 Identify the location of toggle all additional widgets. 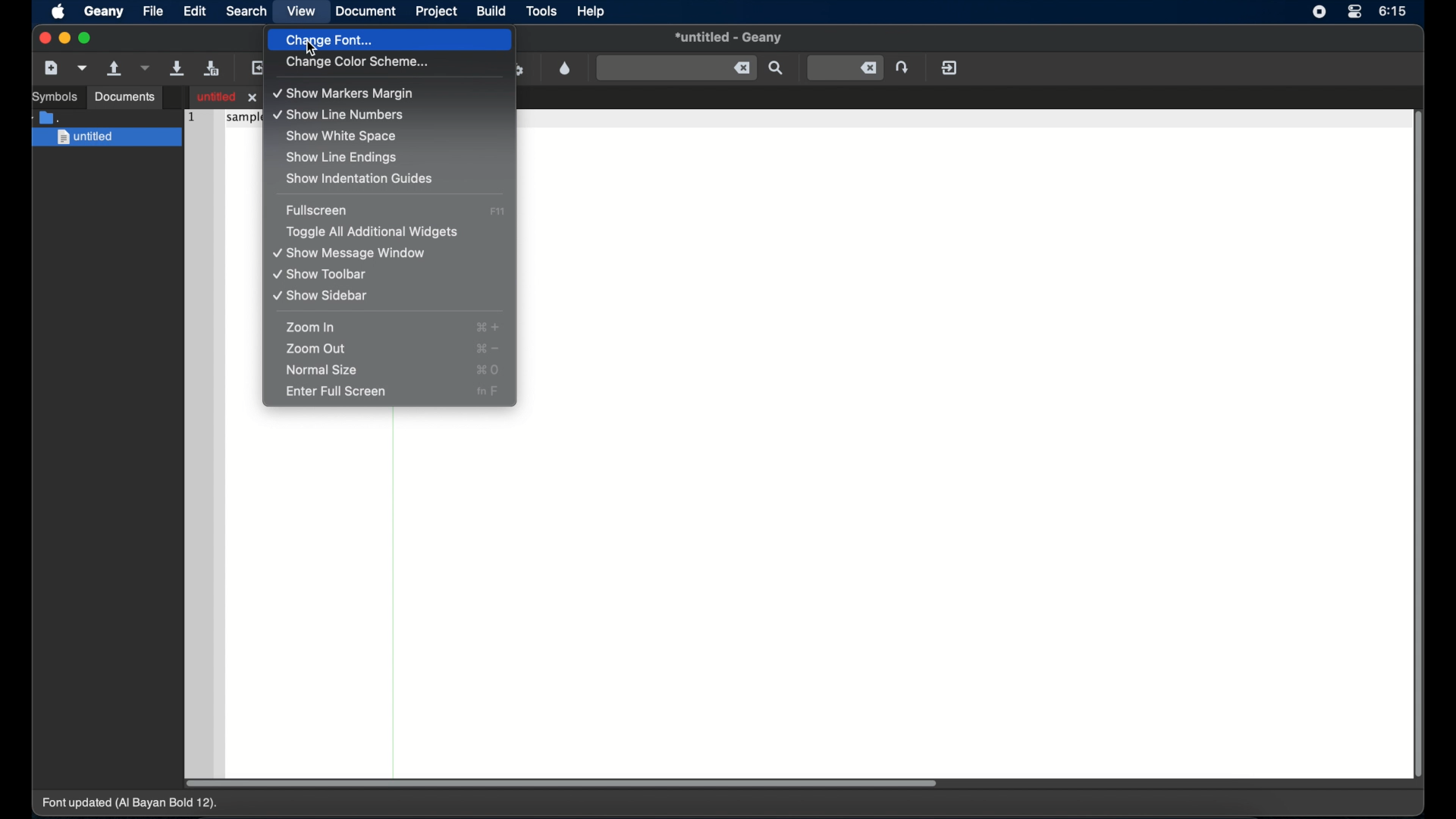
(374, 232).